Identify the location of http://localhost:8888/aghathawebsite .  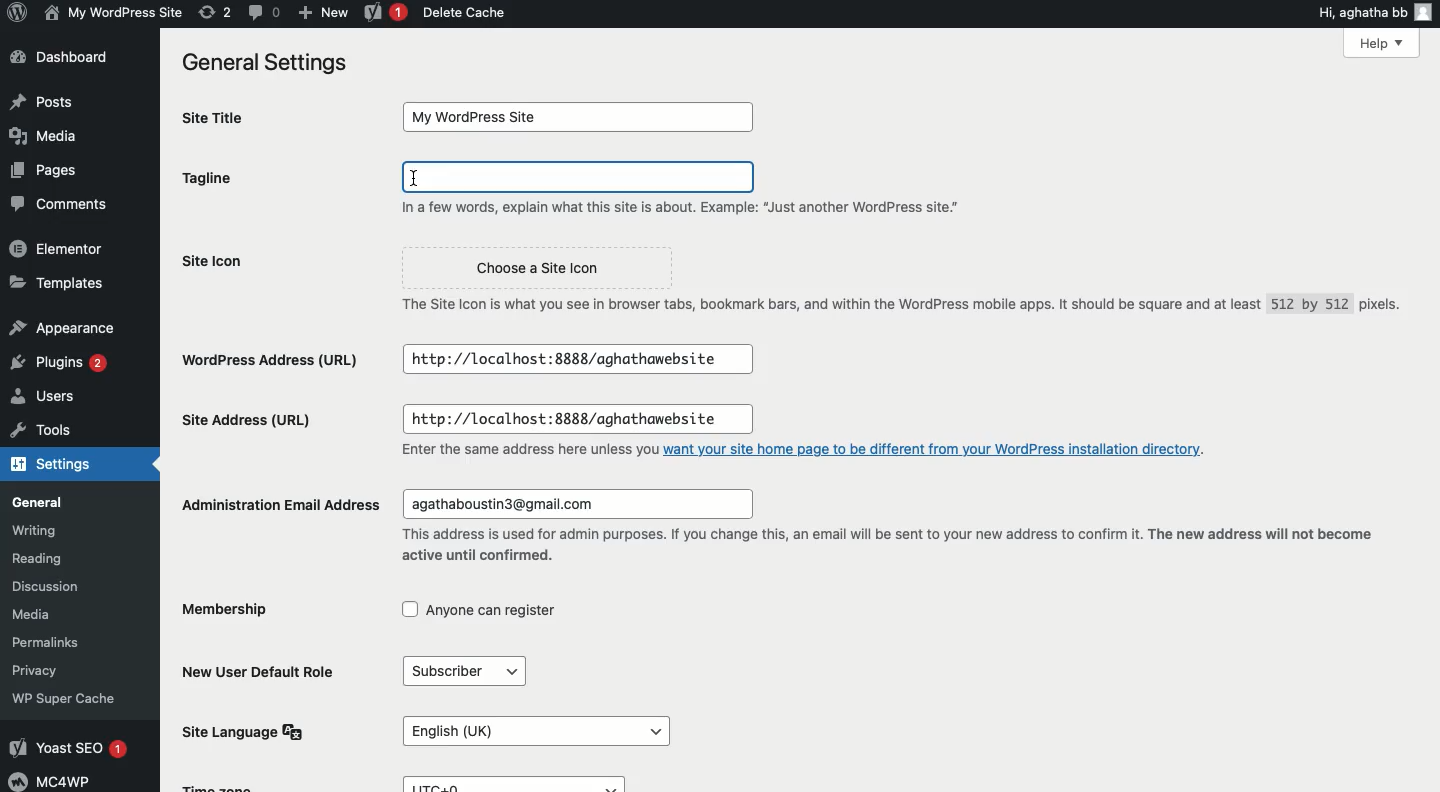
(585, 417).